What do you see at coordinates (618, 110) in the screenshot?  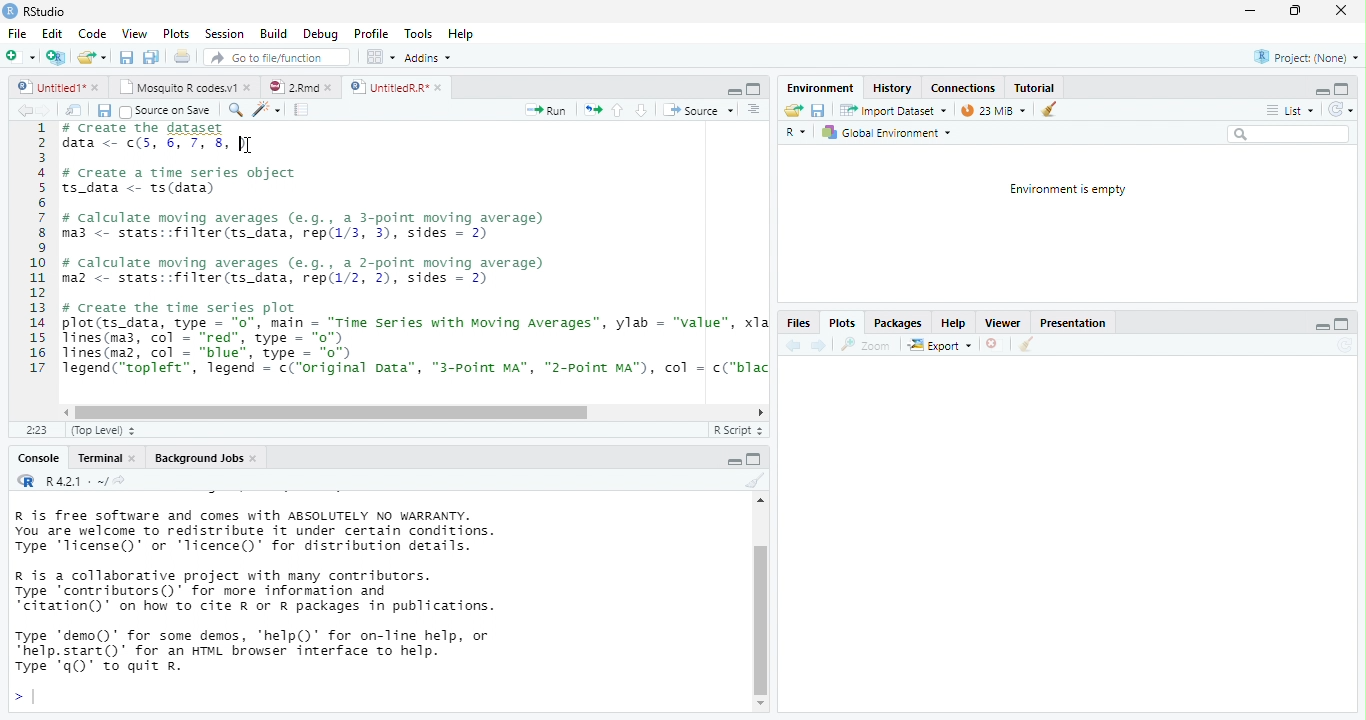 I see `up` at bounding box center [618, 110].